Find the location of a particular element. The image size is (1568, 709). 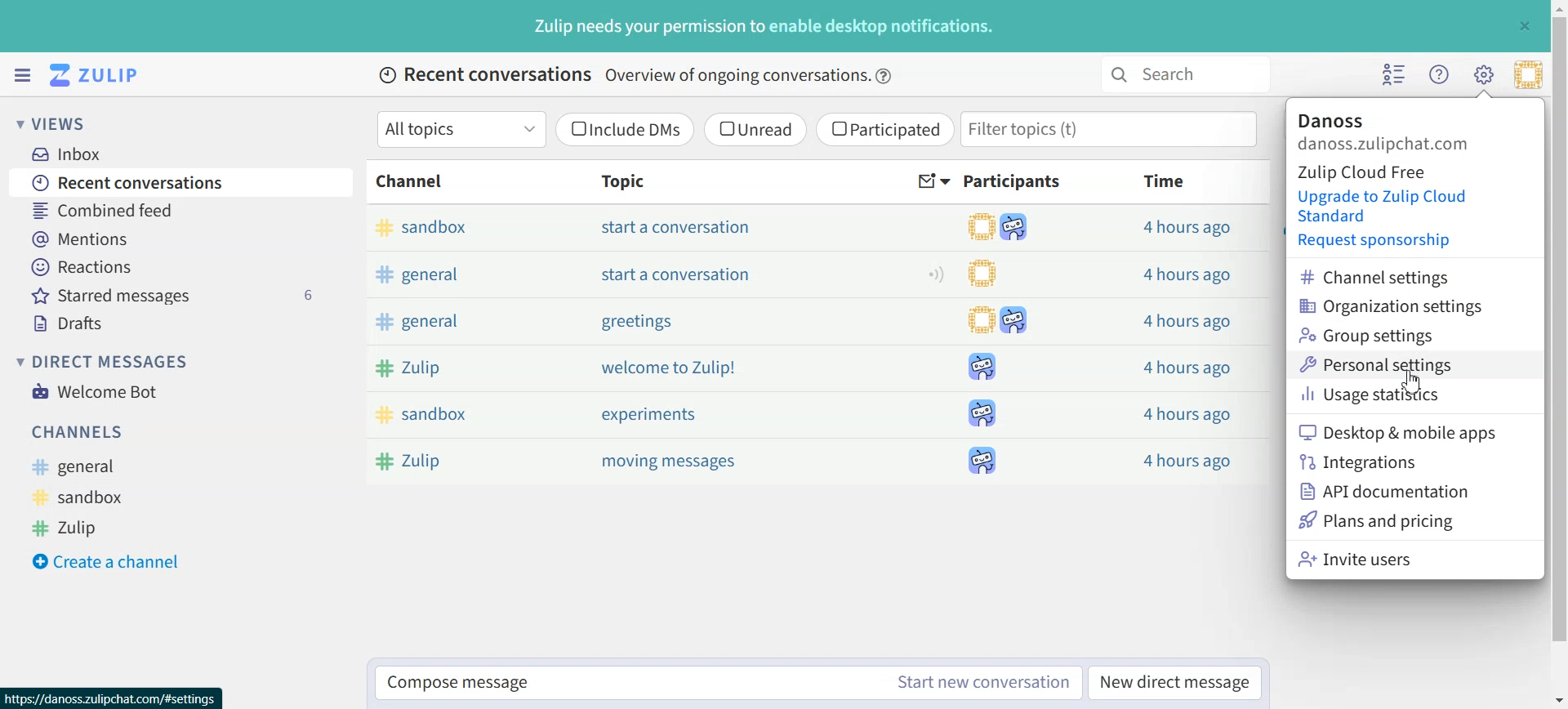

Recent conversation is located at coordinates (182, 181).